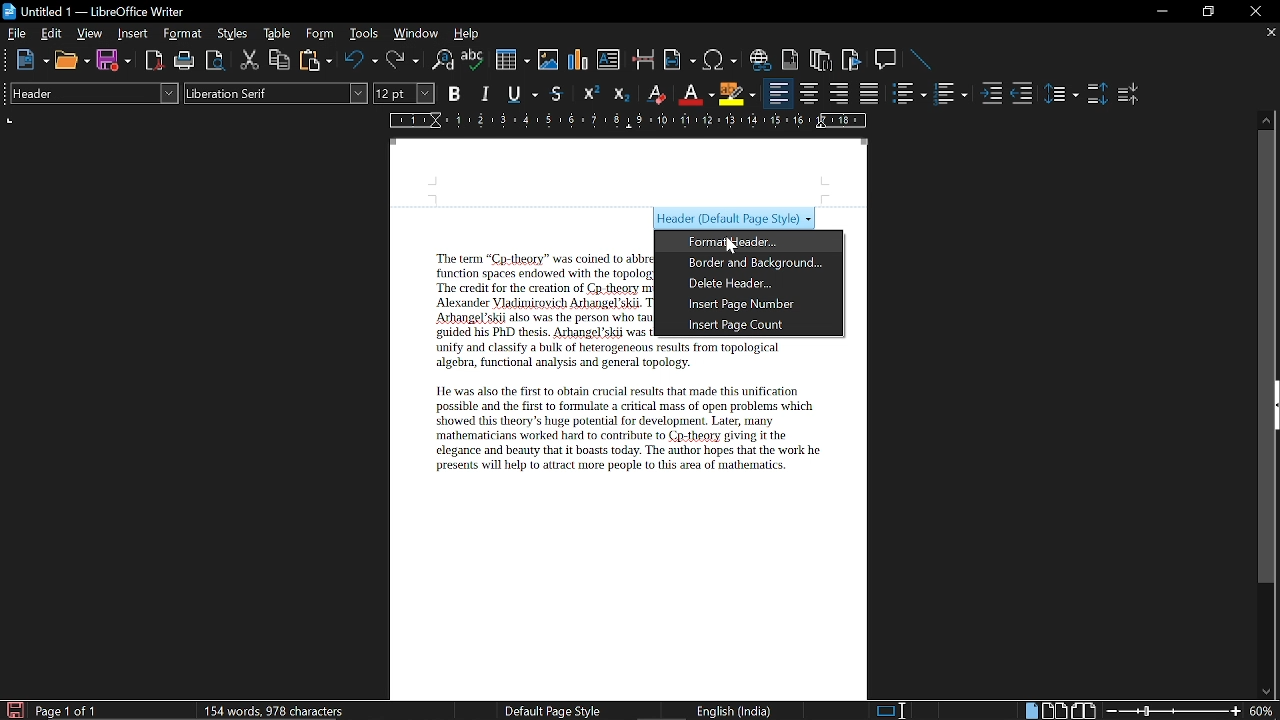 The width and height of the screenshot is (1280, 720). I want to click on Move up, so click(1267, 118).